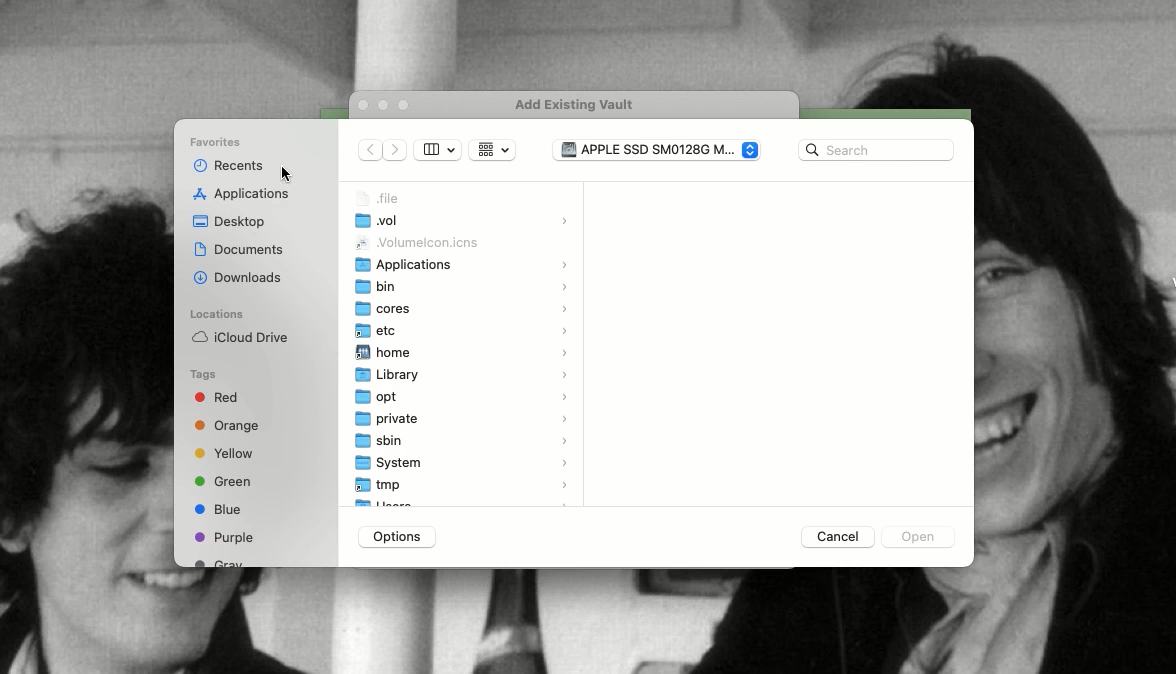  What do you see at coordinates (463, 330) in the screenshot?
I see `etc` at bounding box center [463, 330].